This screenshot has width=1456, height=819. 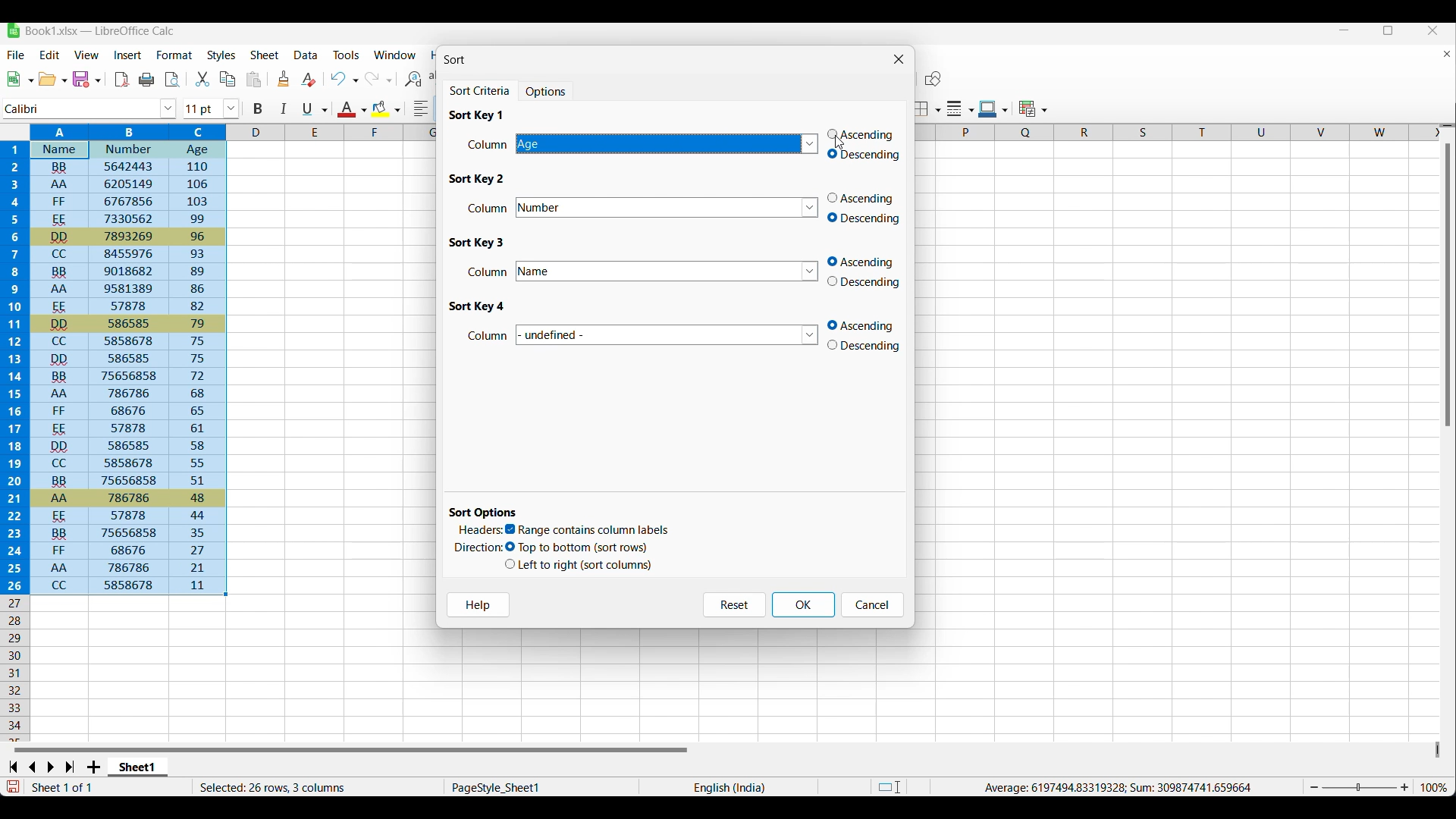 I want to click on View menu, so click(x=86, y=55).